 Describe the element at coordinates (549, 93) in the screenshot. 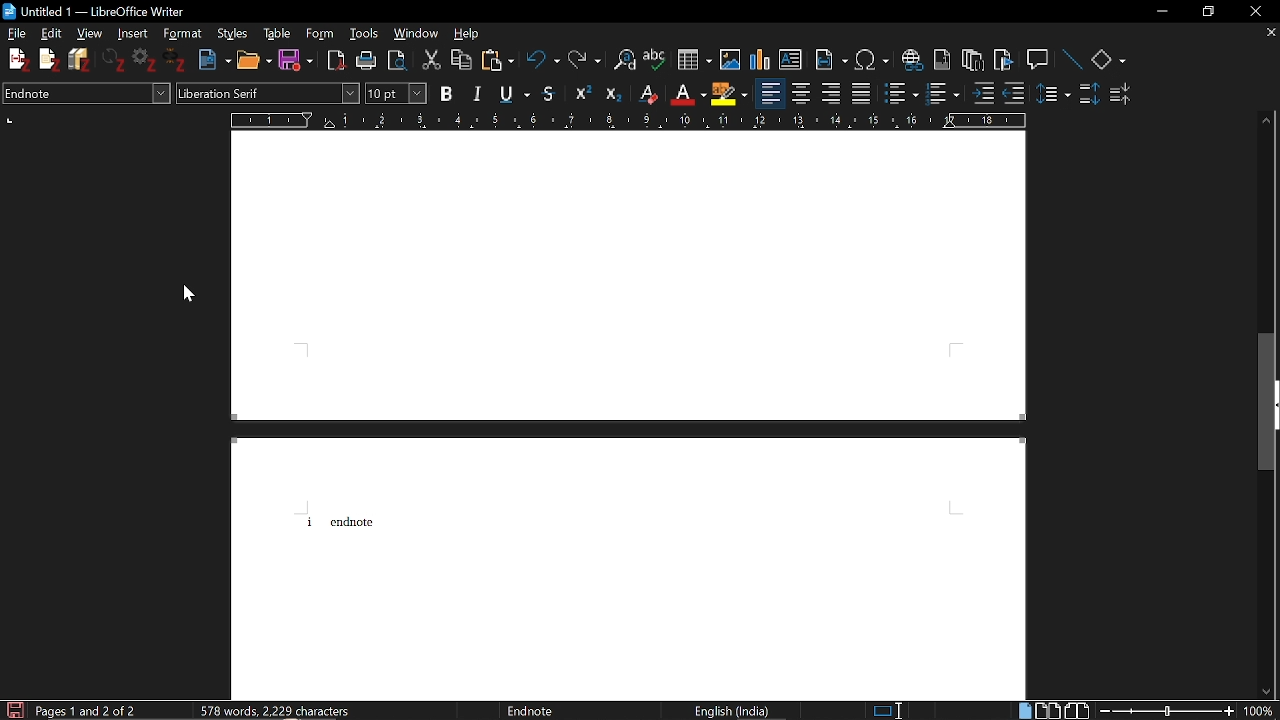

I see `Strikethrough` at that location.